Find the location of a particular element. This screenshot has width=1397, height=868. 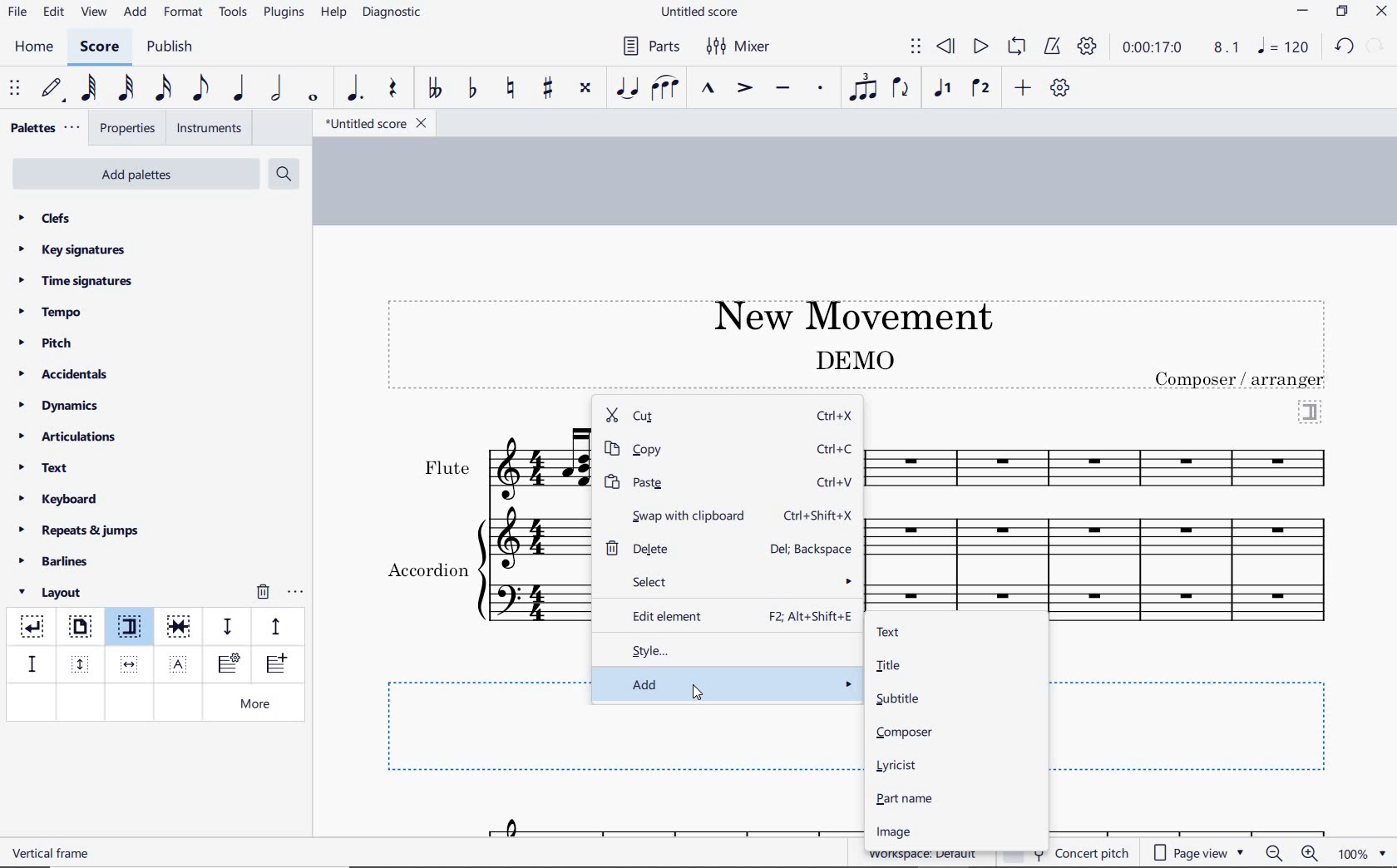

select to move is located at coordinates (17, 89).